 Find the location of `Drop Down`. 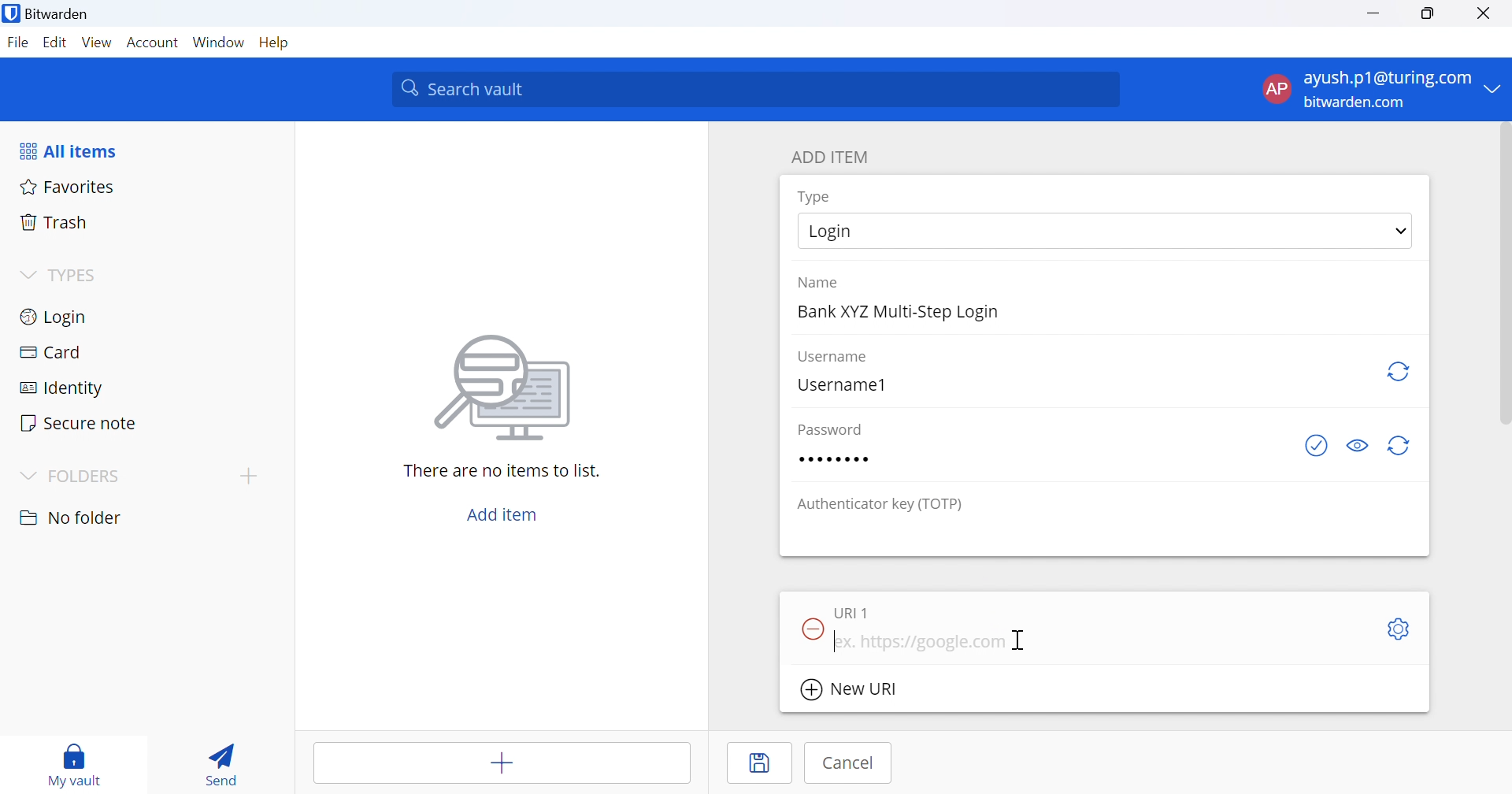

Drop Down is located at coordinates (1497, 90).